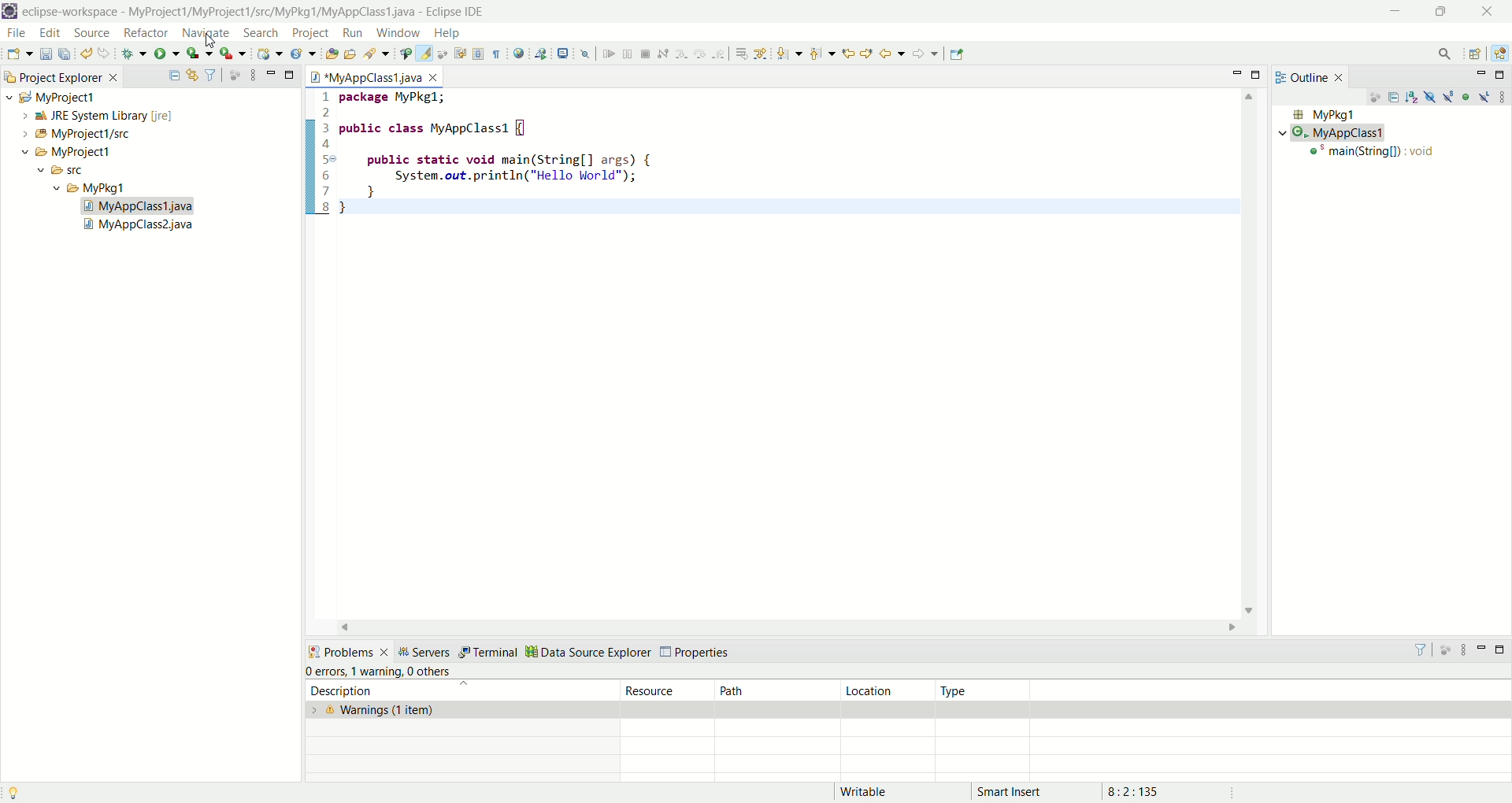 This screenshot has width=1512, height=803. Describe the element at coordinates (262, 32) in the screenshot. I see `search` at that location.